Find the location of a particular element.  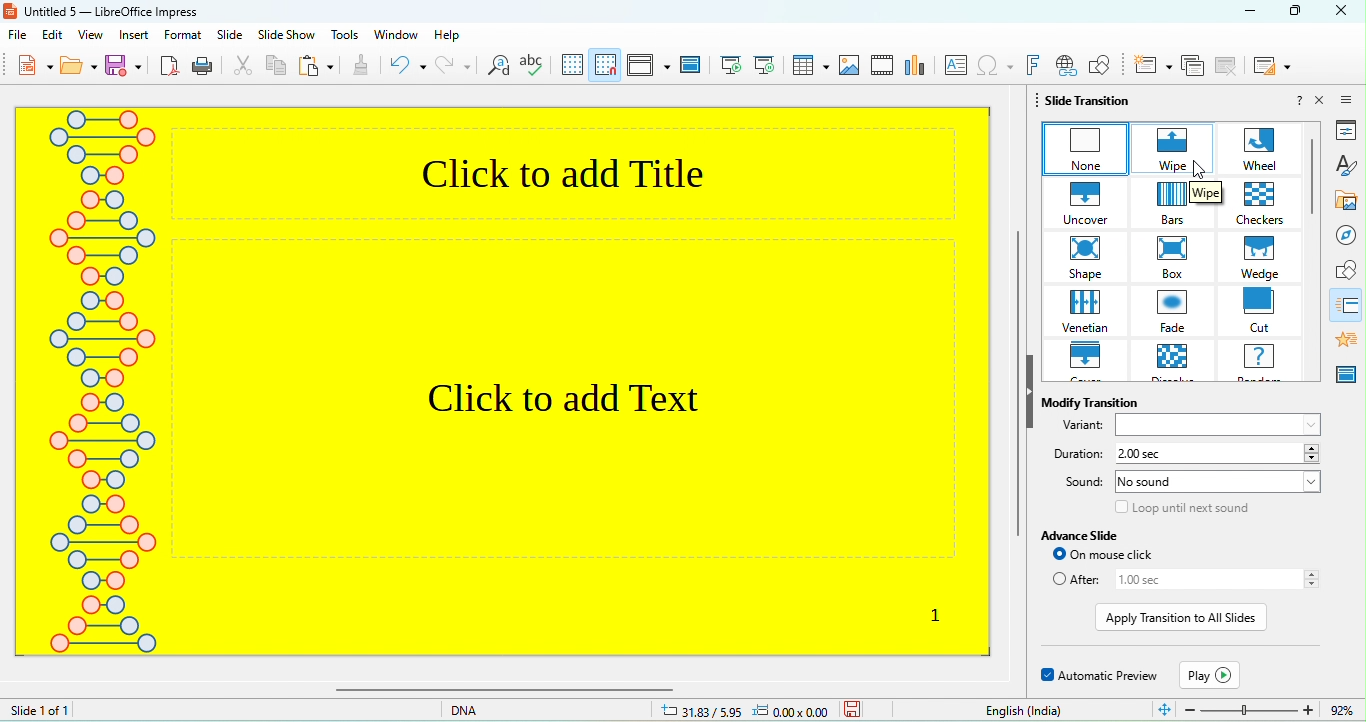

insert is located at coordinates (136, 36).